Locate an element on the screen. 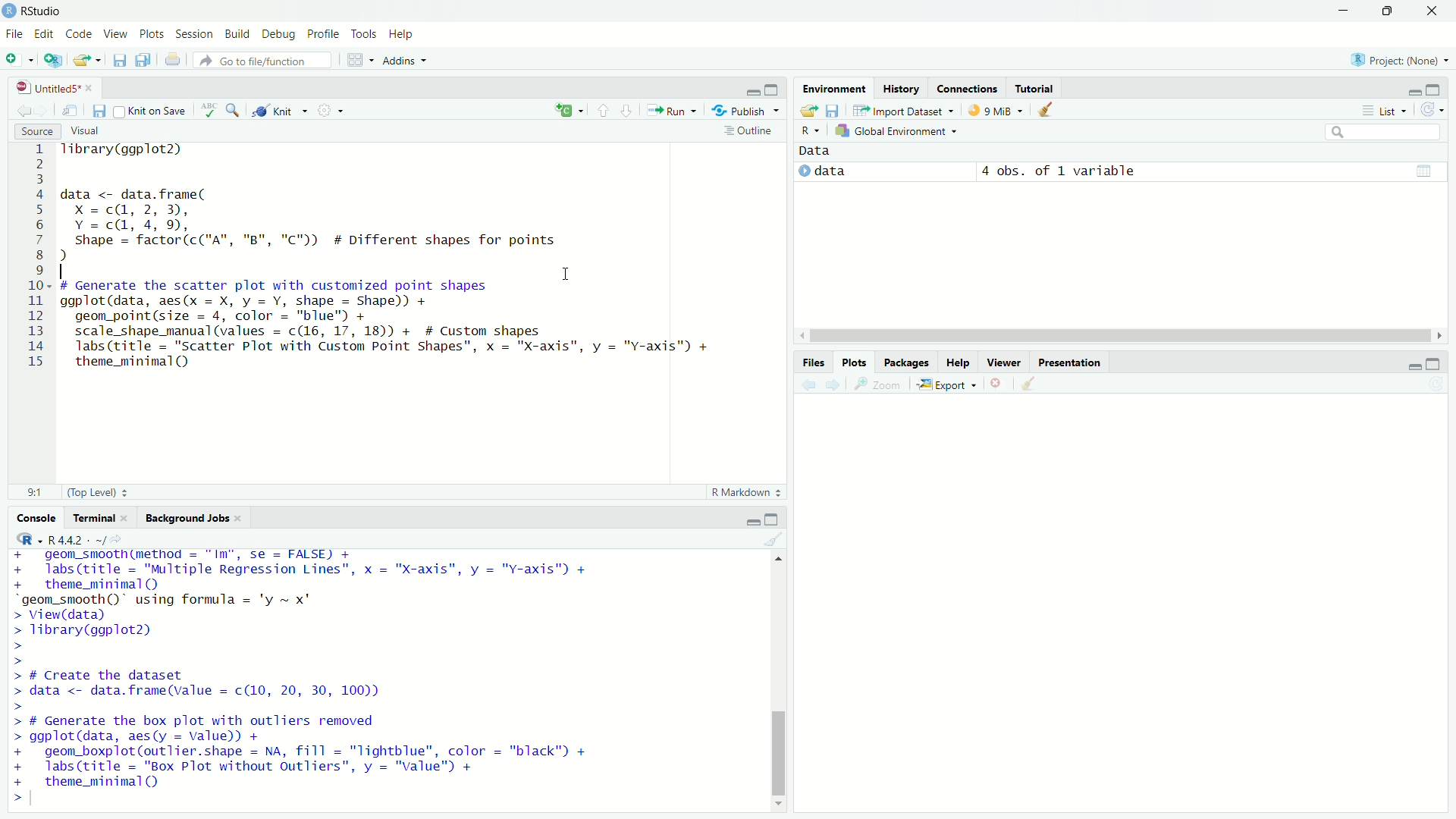  Next plot is located at coordinates (832, 384).